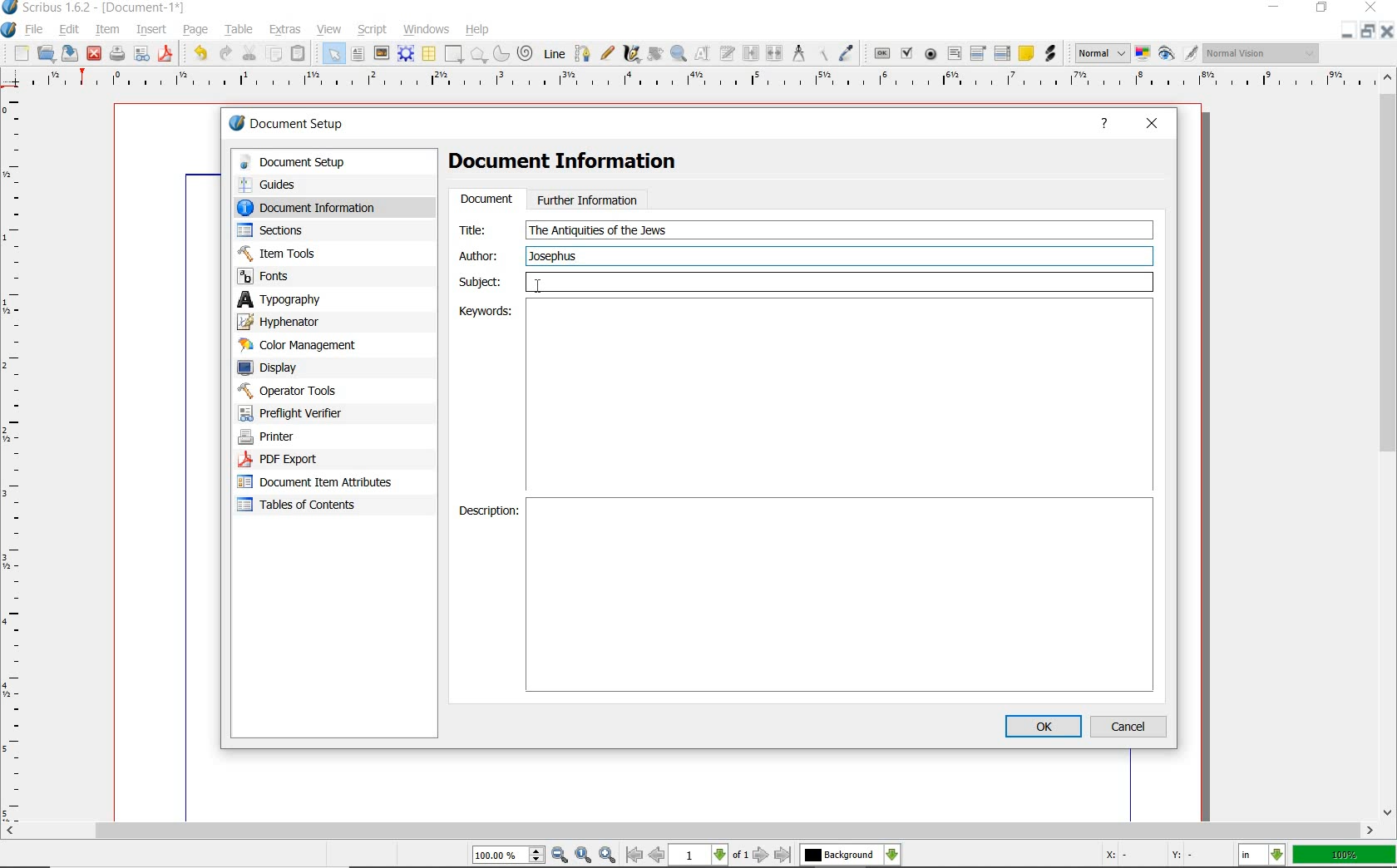 The height and width of the screenshot is (868, 1397). What do you see at coordinates (1143, 53) in the screenshot?
I see `toggle color management` at bounding box center [1143, 53].